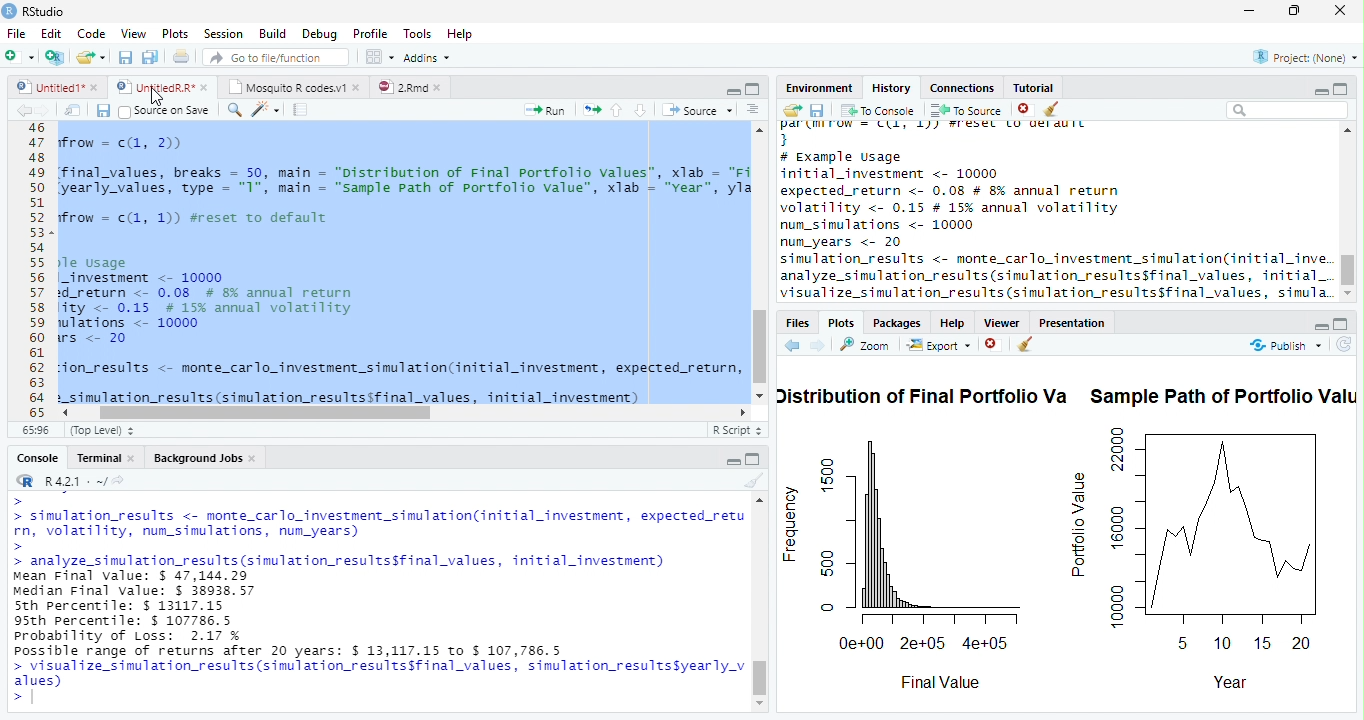 The image size is (1364, 720). What do you see at coordinates (166, 111) in the screenshot?
I see `Source on save` at bounding box center [166, 111].